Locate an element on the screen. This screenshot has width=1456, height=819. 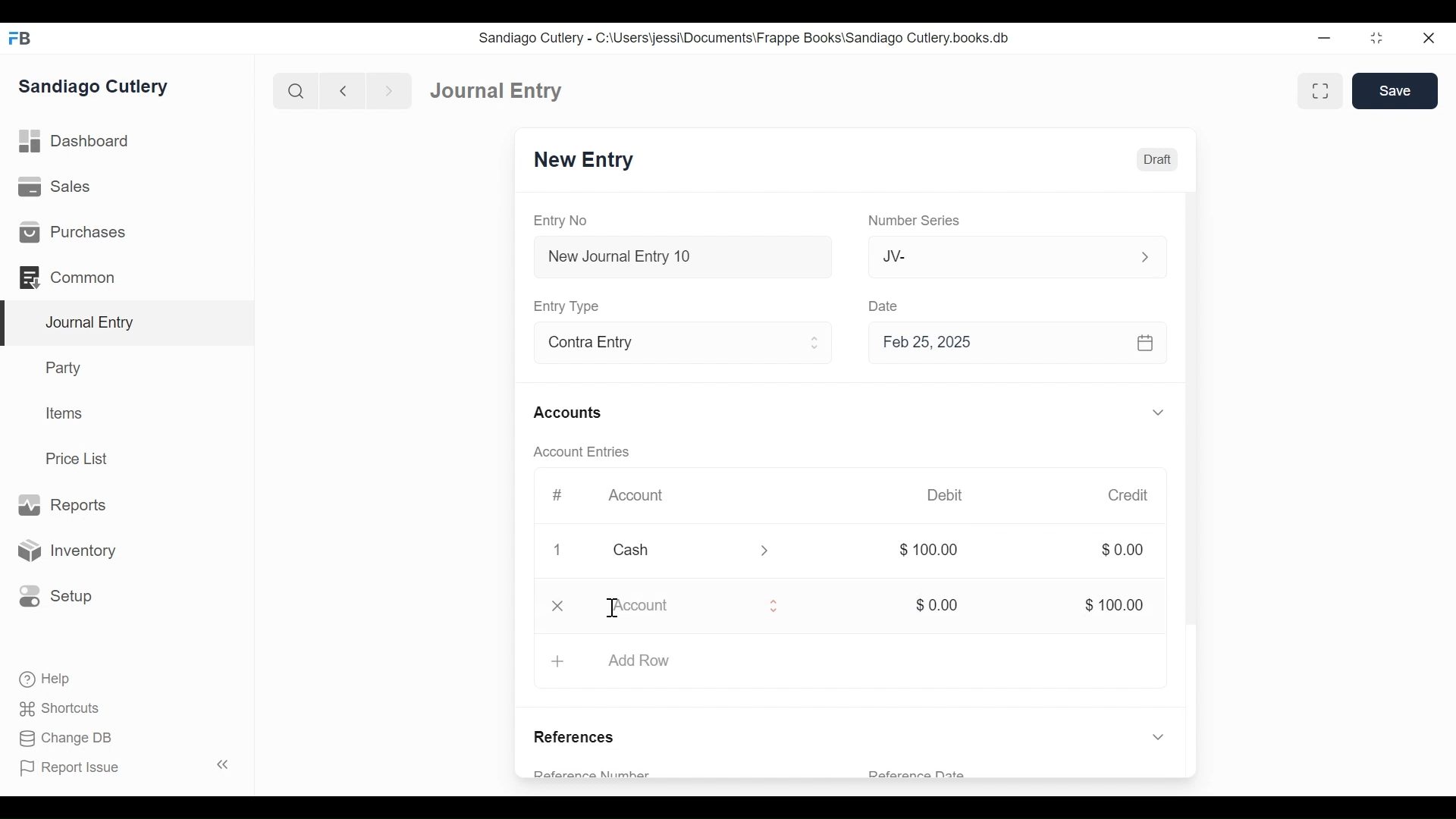
Common is located at coordinates (68, 276).